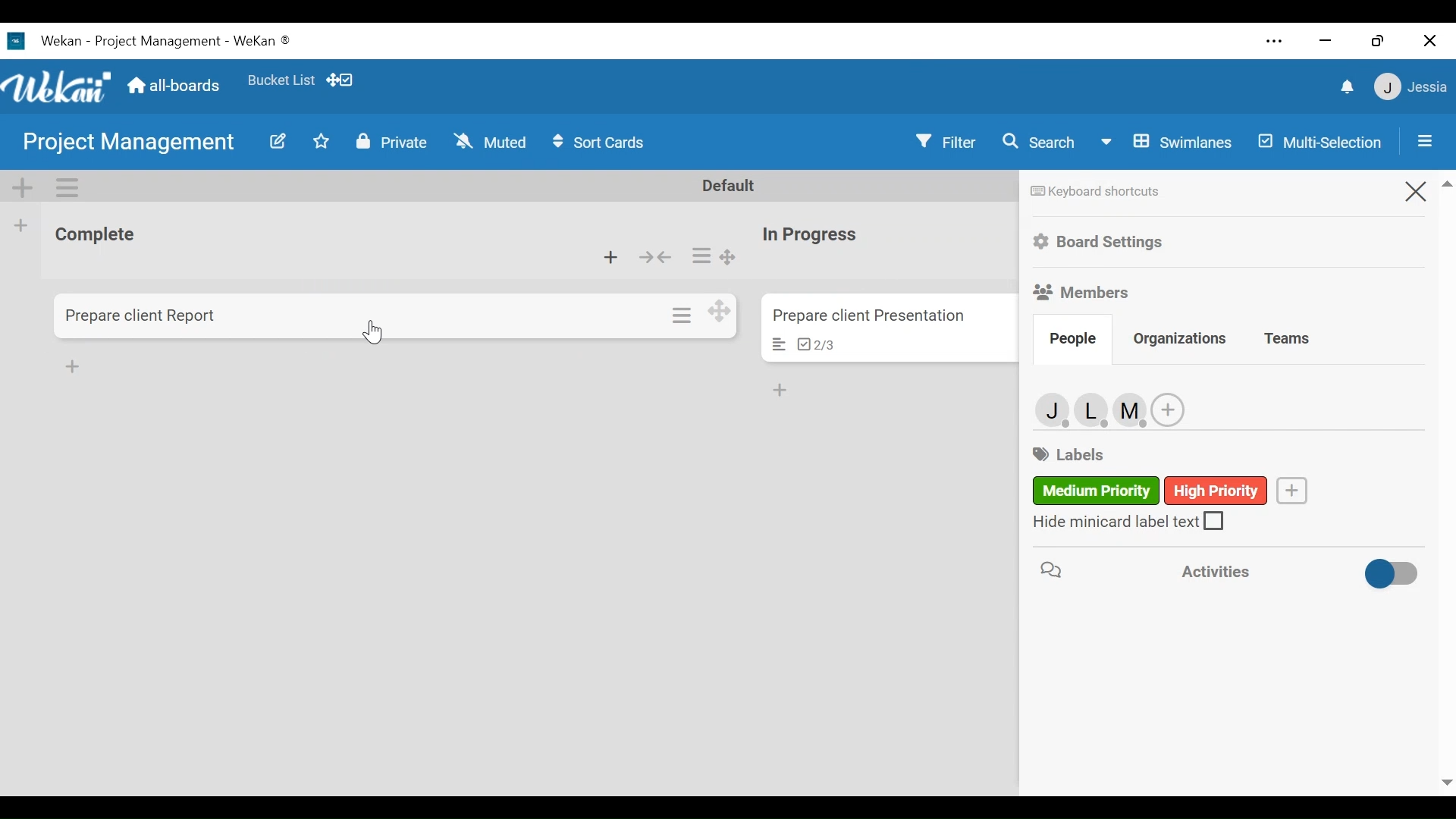 This screenshot has width=1456, height=819. Describe the element at coordinates (780, 344) in the screenshot. I see `Card Description` at that location.